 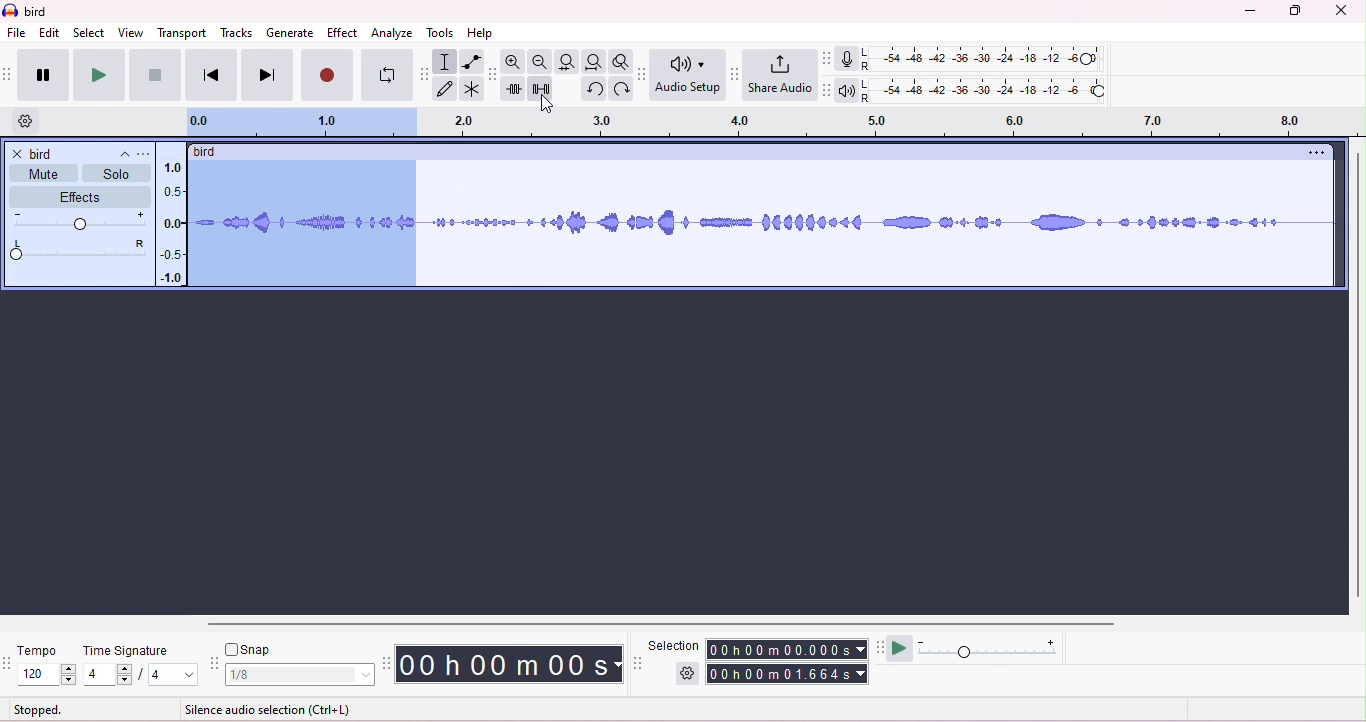 I want to click on edit tool bar, so click(x=493, y=75).